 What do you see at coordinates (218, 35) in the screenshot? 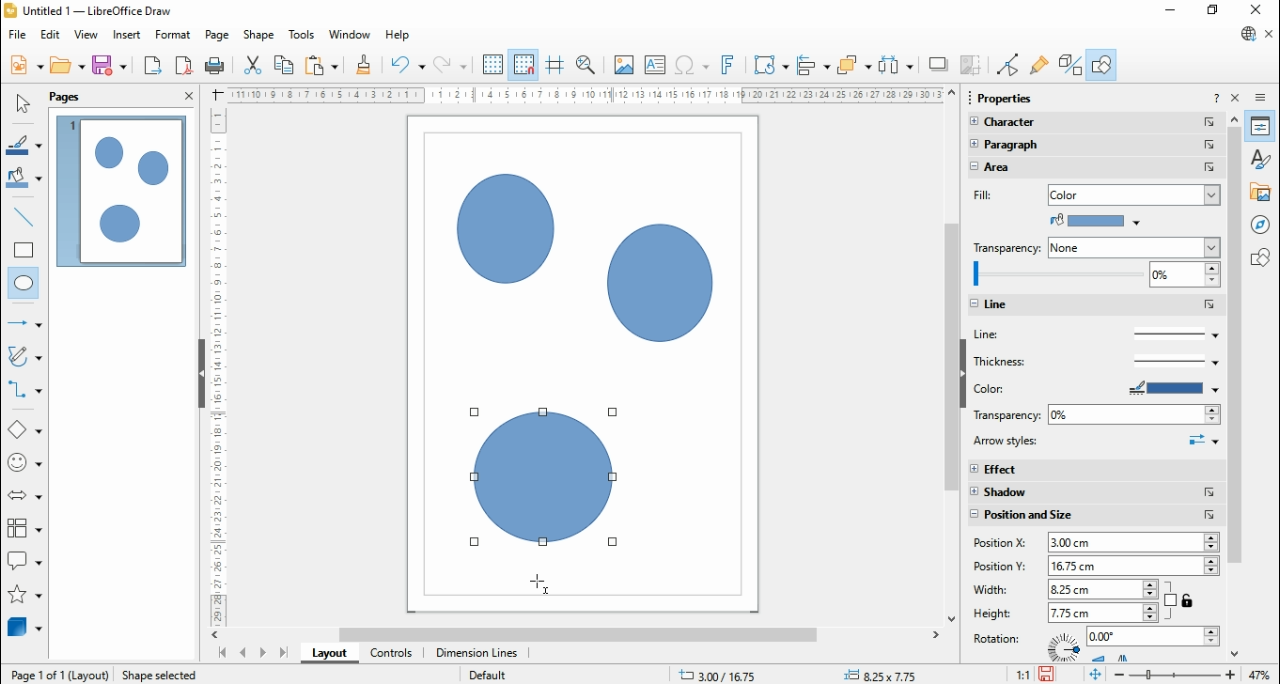
I see `page` at bounding box center [218, 35].